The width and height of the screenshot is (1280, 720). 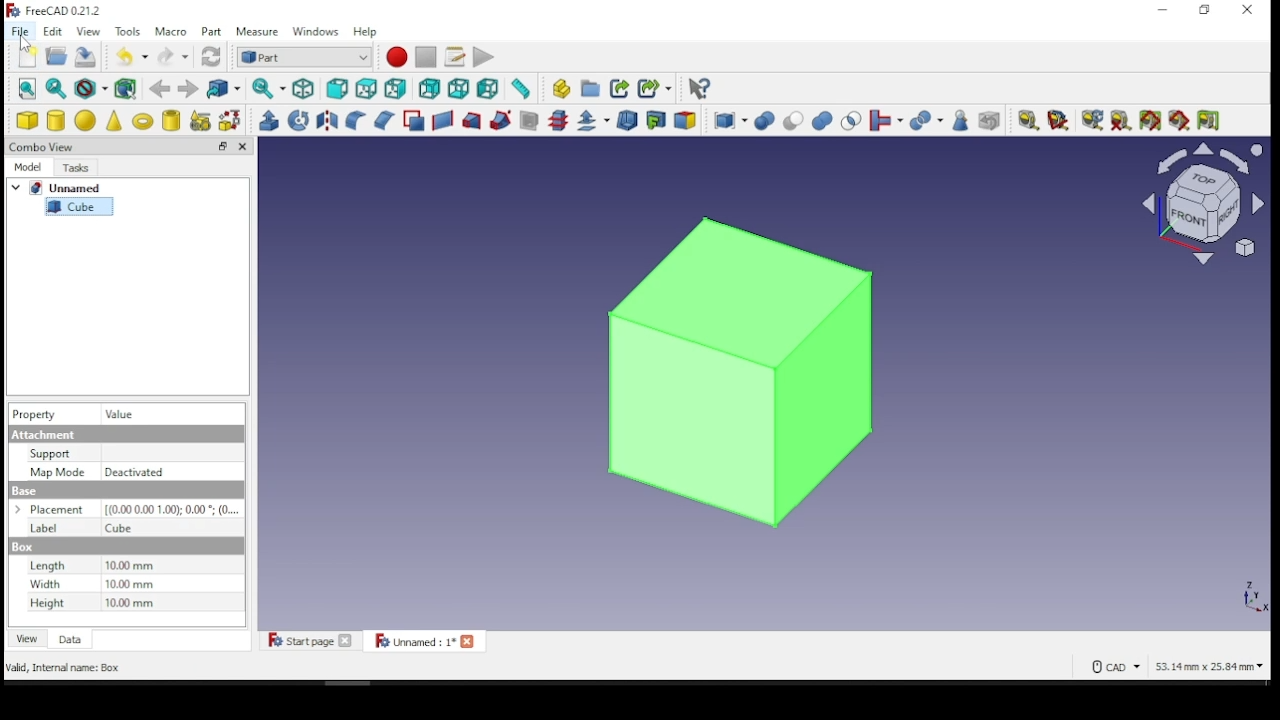 I want to click on view, so click(x=28, y=638).